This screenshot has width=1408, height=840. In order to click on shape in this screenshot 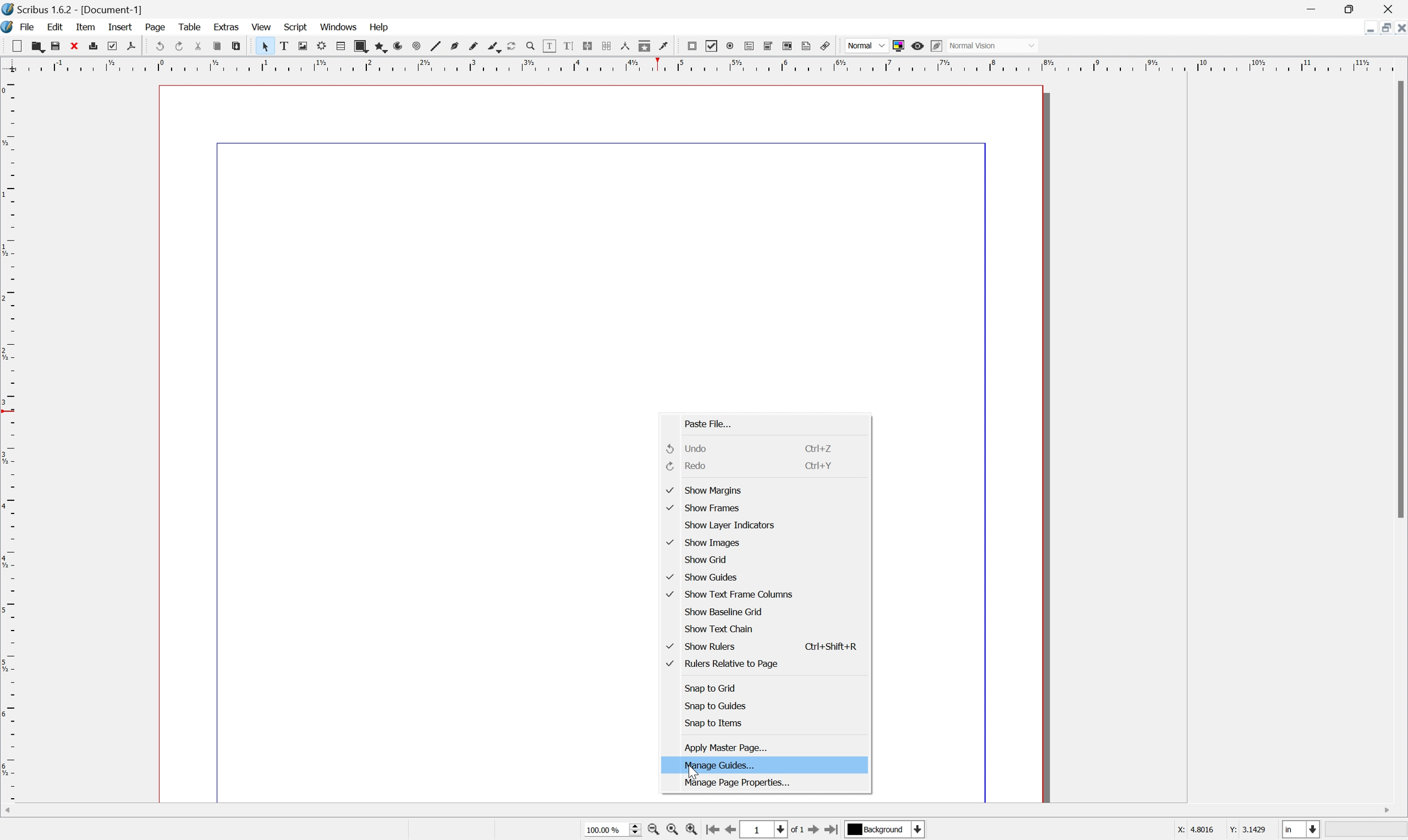, I will do `click(361, 47)`.